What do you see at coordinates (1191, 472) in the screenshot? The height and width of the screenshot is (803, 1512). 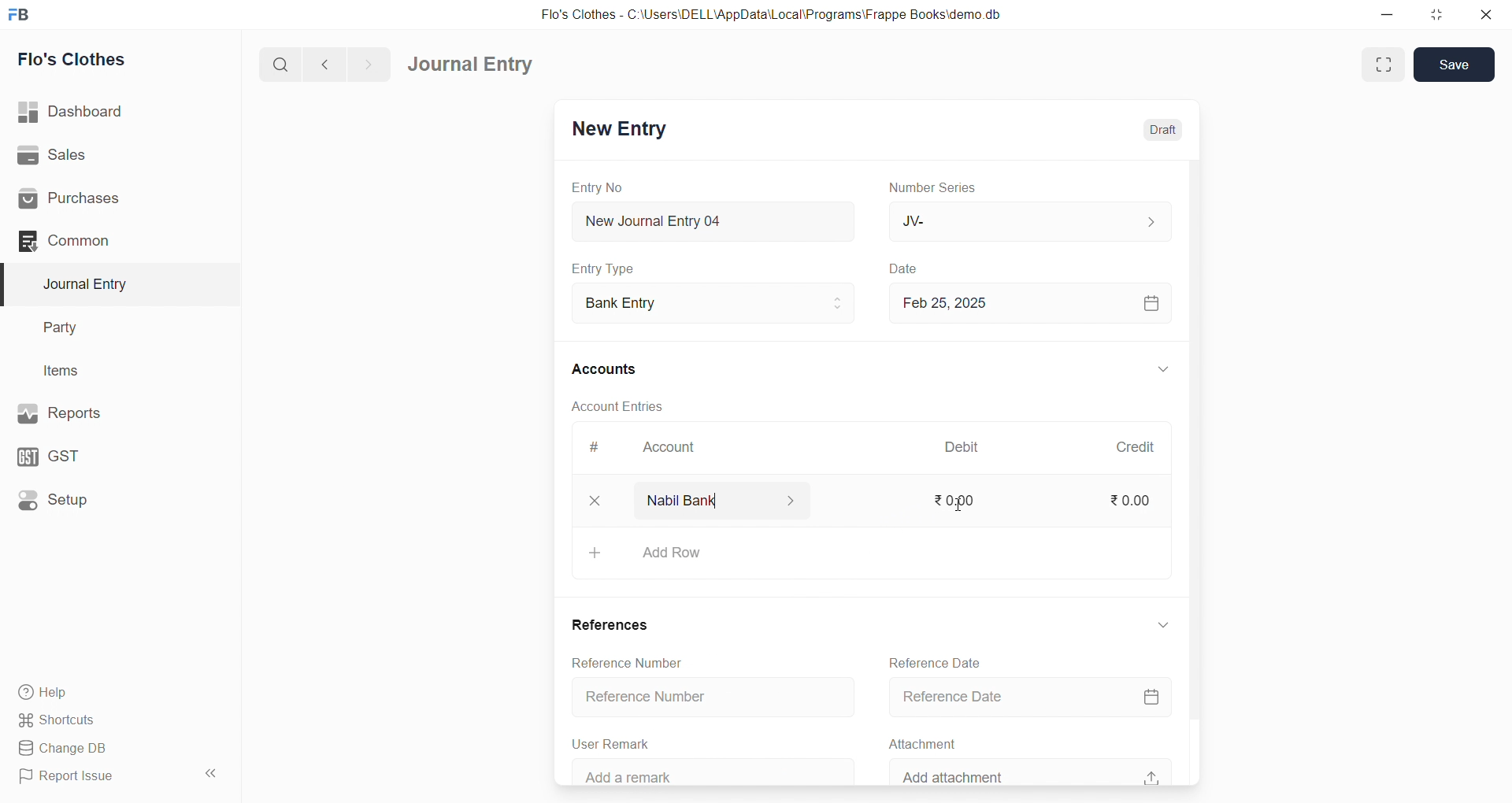 I see `Scroll bar` at bounding box center [1191, 472].